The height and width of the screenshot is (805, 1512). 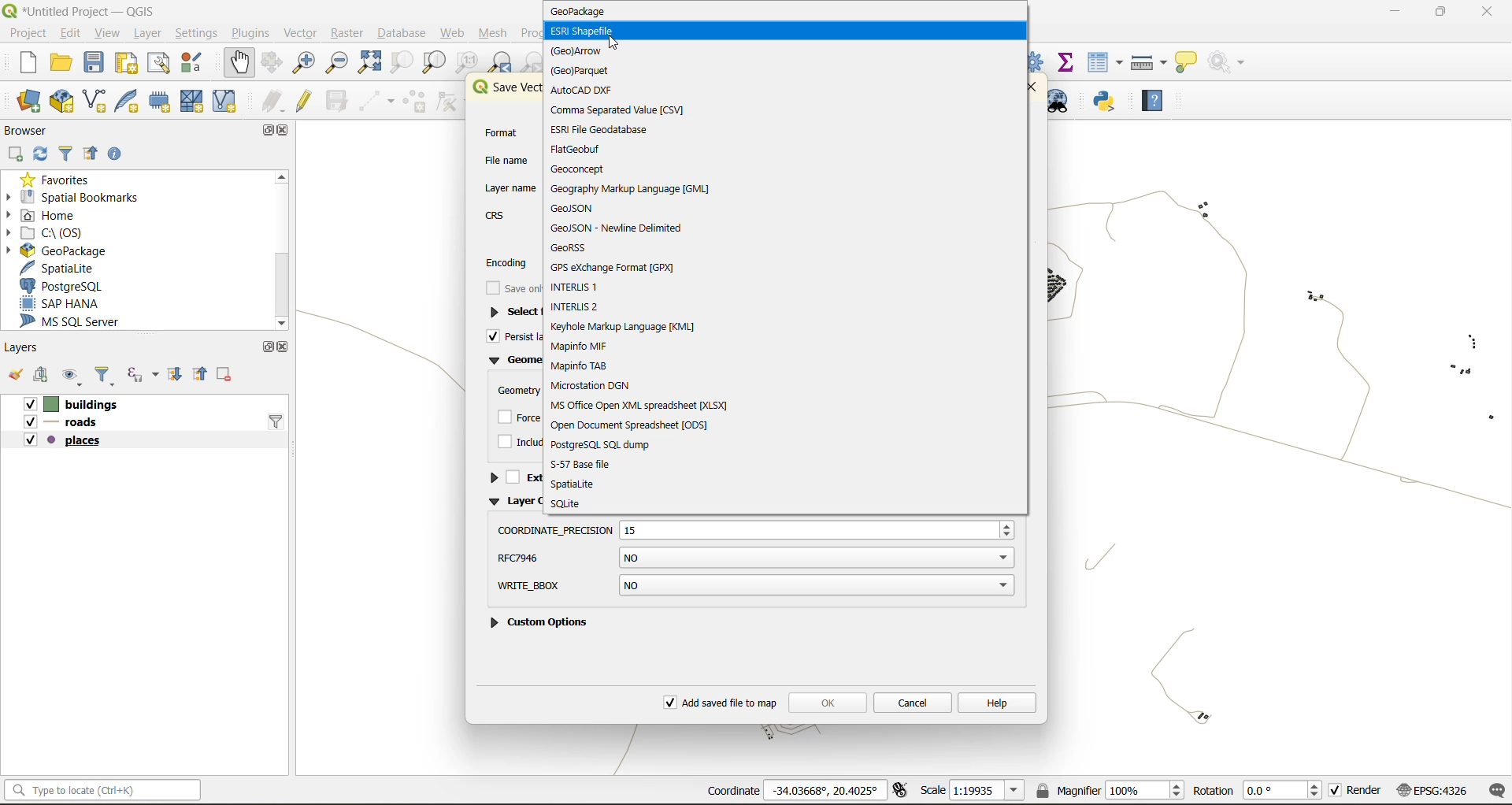 What do you see at coordinates (566, 503) in the screenshot?
I see `sqlite` at bounding box center [566, 503].